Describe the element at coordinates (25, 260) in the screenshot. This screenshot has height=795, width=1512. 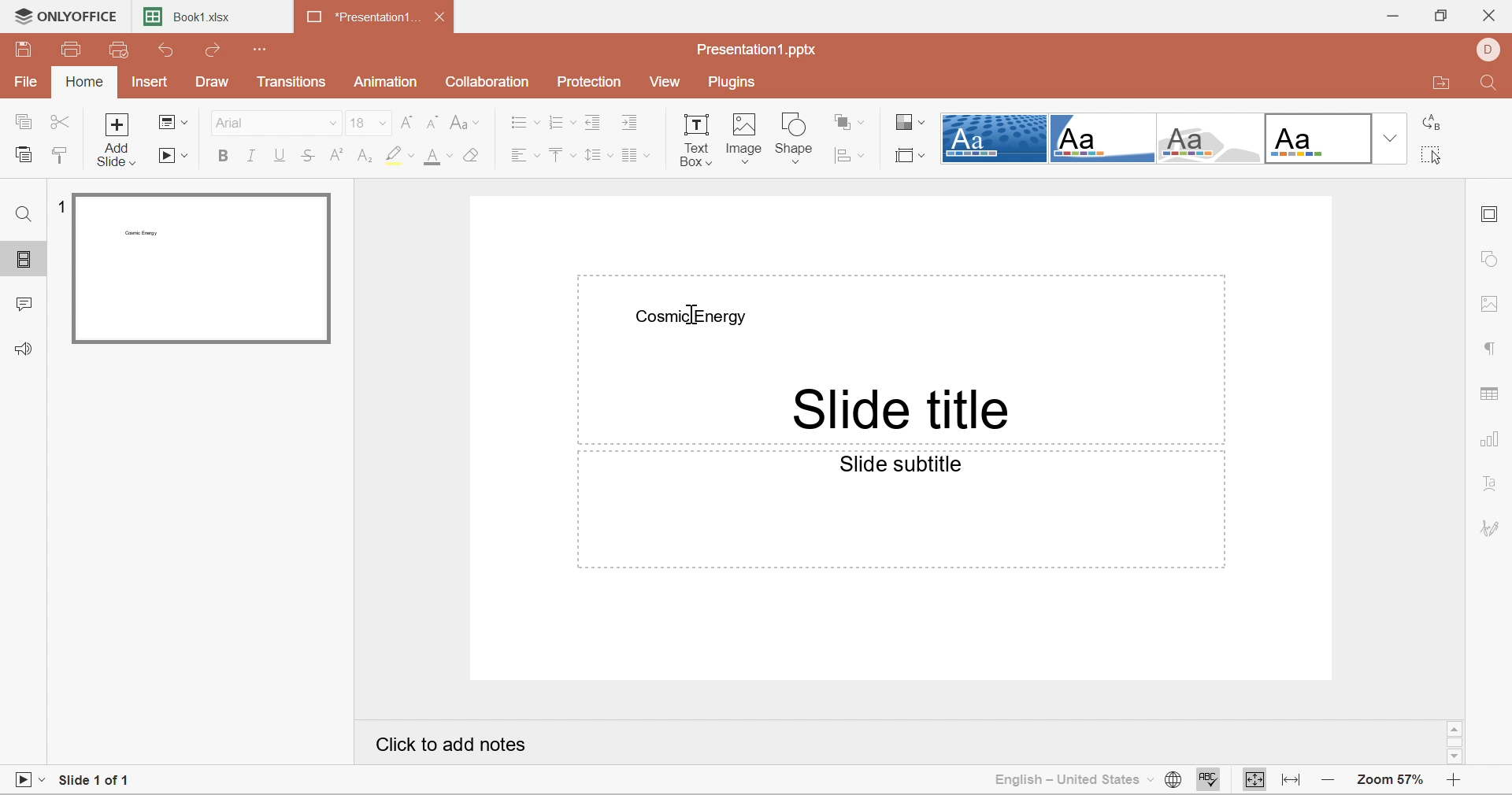
I see `Slides` at that location.